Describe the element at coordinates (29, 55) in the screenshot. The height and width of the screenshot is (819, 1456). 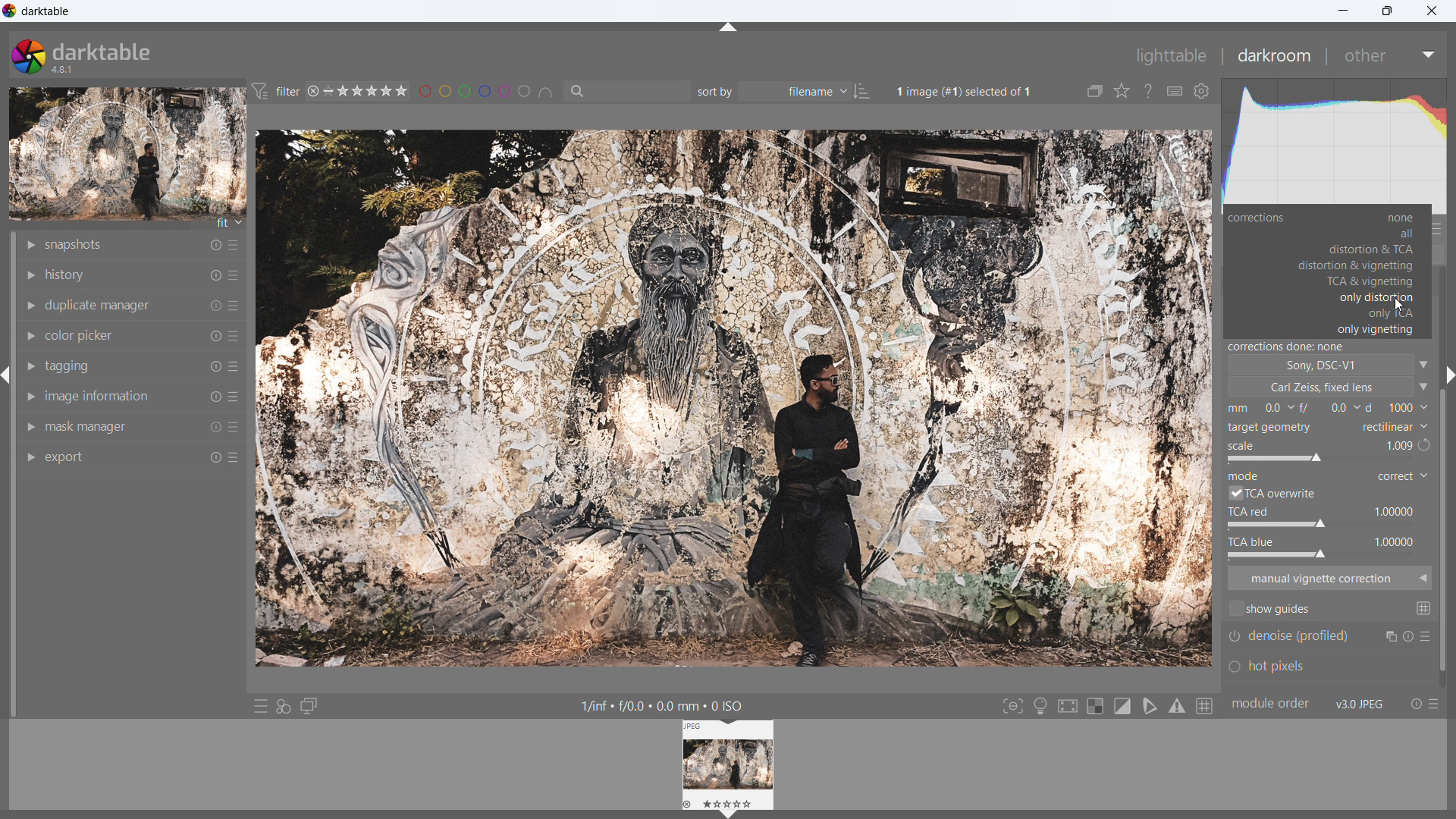
I see `logo` at that location.